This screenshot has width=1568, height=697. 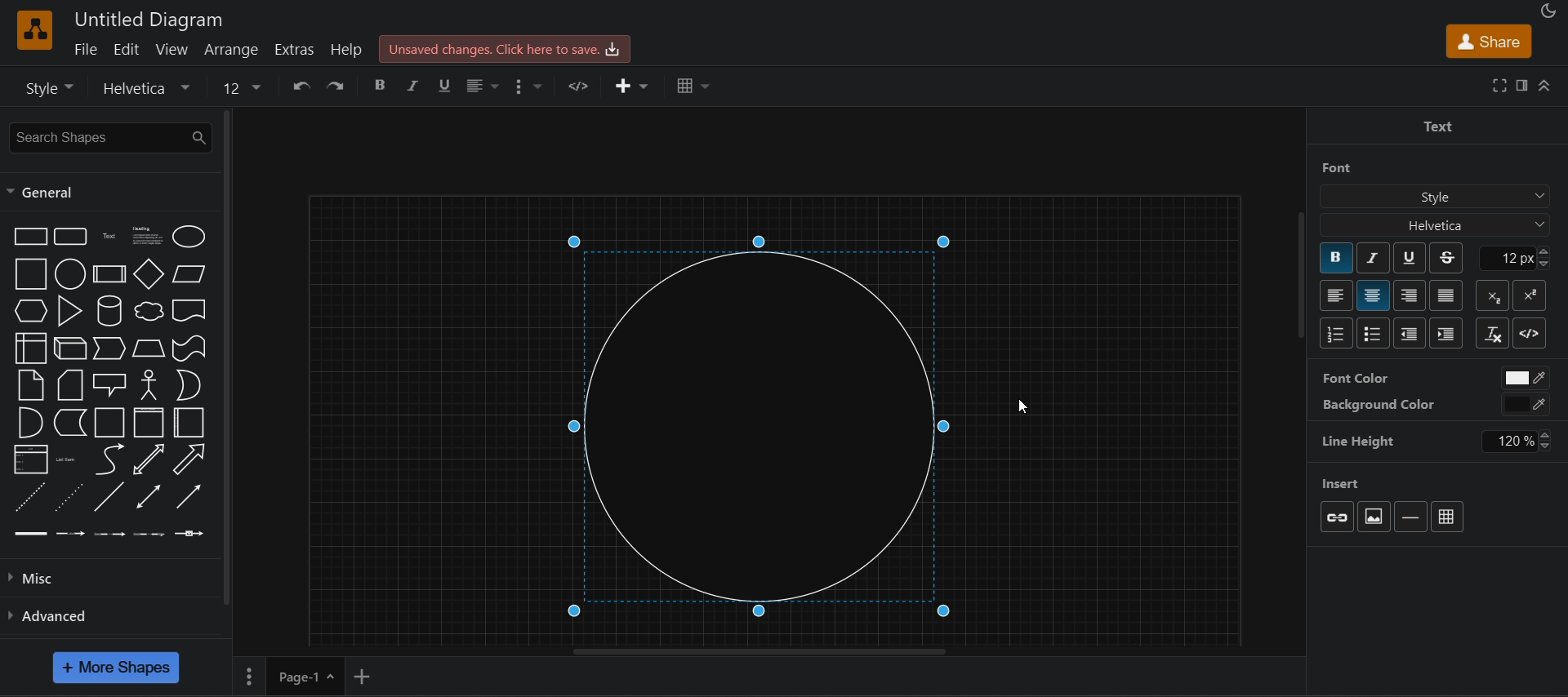 I want to click on Connector 1, so click(x=27, y=531).